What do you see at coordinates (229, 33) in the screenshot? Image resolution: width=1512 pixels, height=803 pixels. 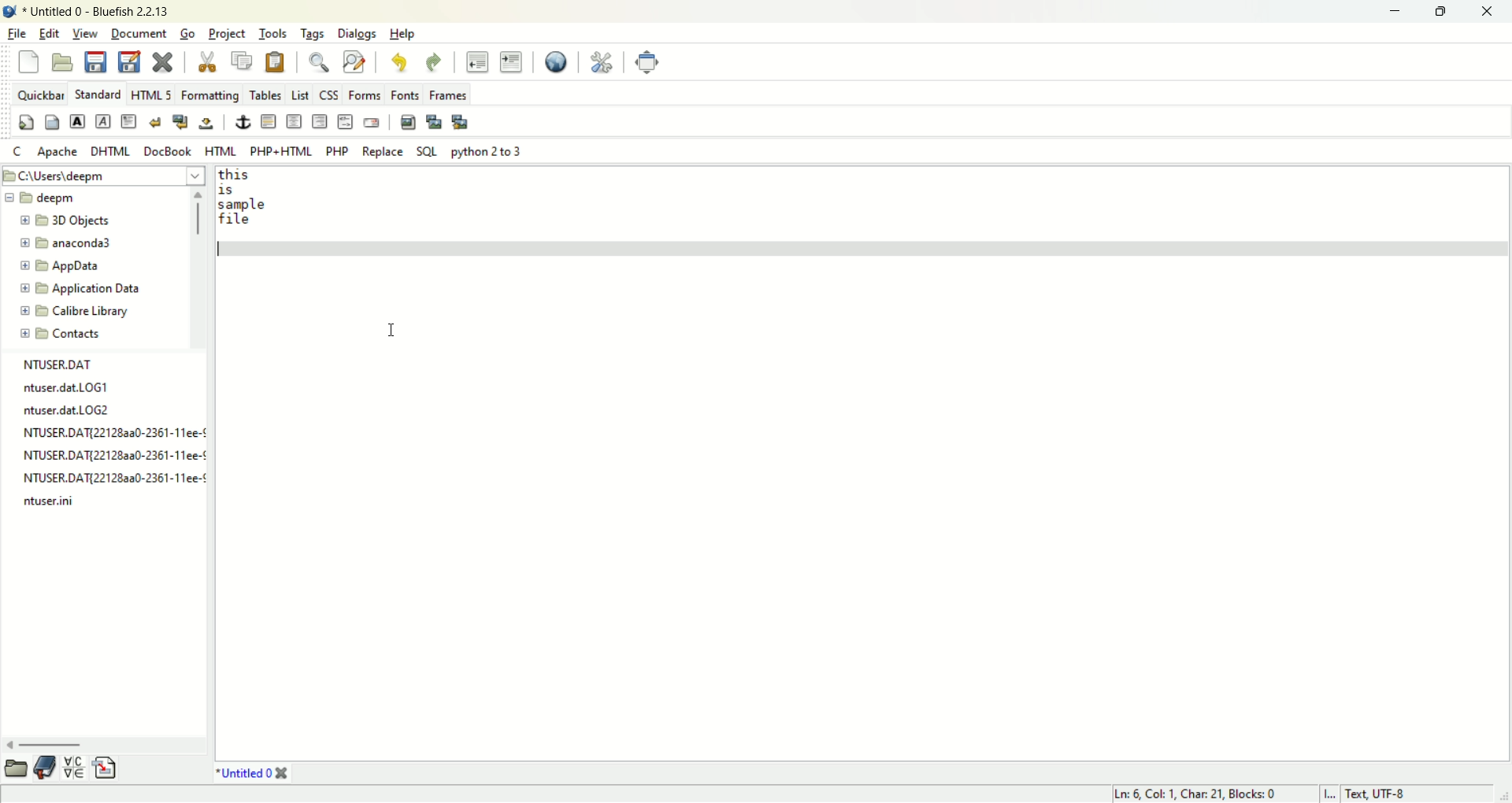 I see `project` at bounding box center [229, 33].